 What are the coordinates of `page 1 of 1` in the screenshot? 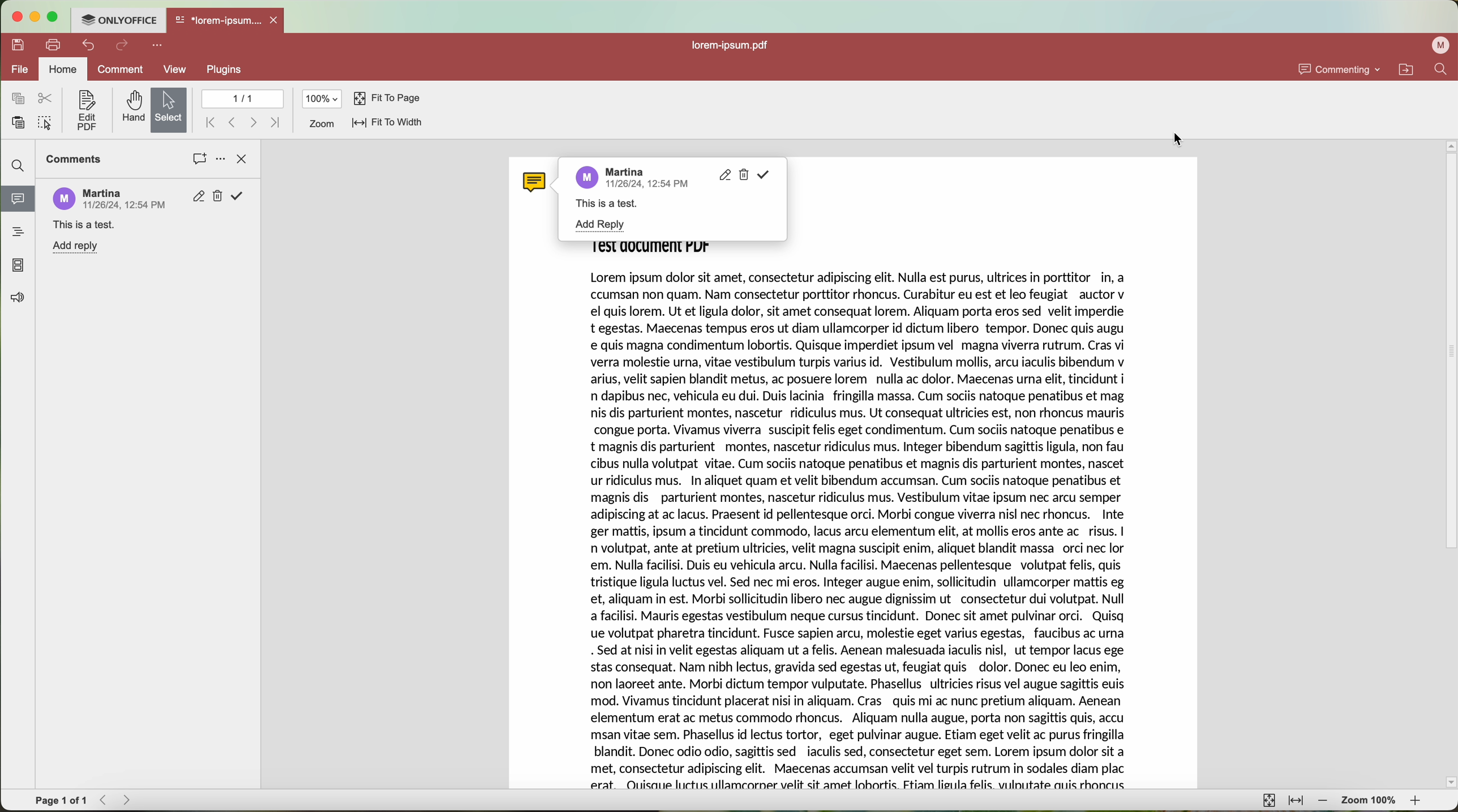 It's located at (61, 799).